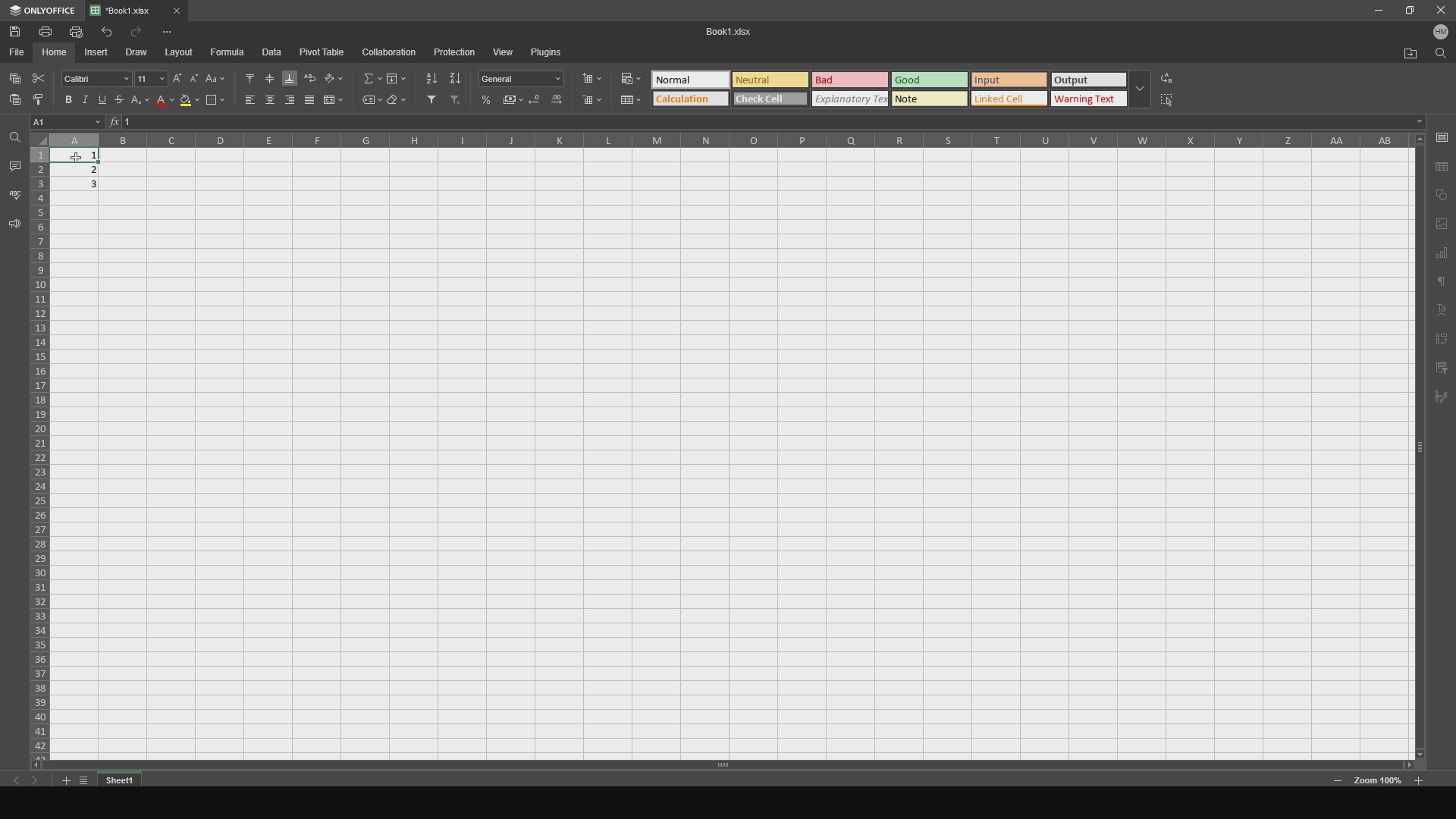 Image resolution: width=1456 pixels, height=819 pixels. What do you see at coordinates (1439, 11) in the screenshot?
I see `close` at bounding box center [1439, 11].